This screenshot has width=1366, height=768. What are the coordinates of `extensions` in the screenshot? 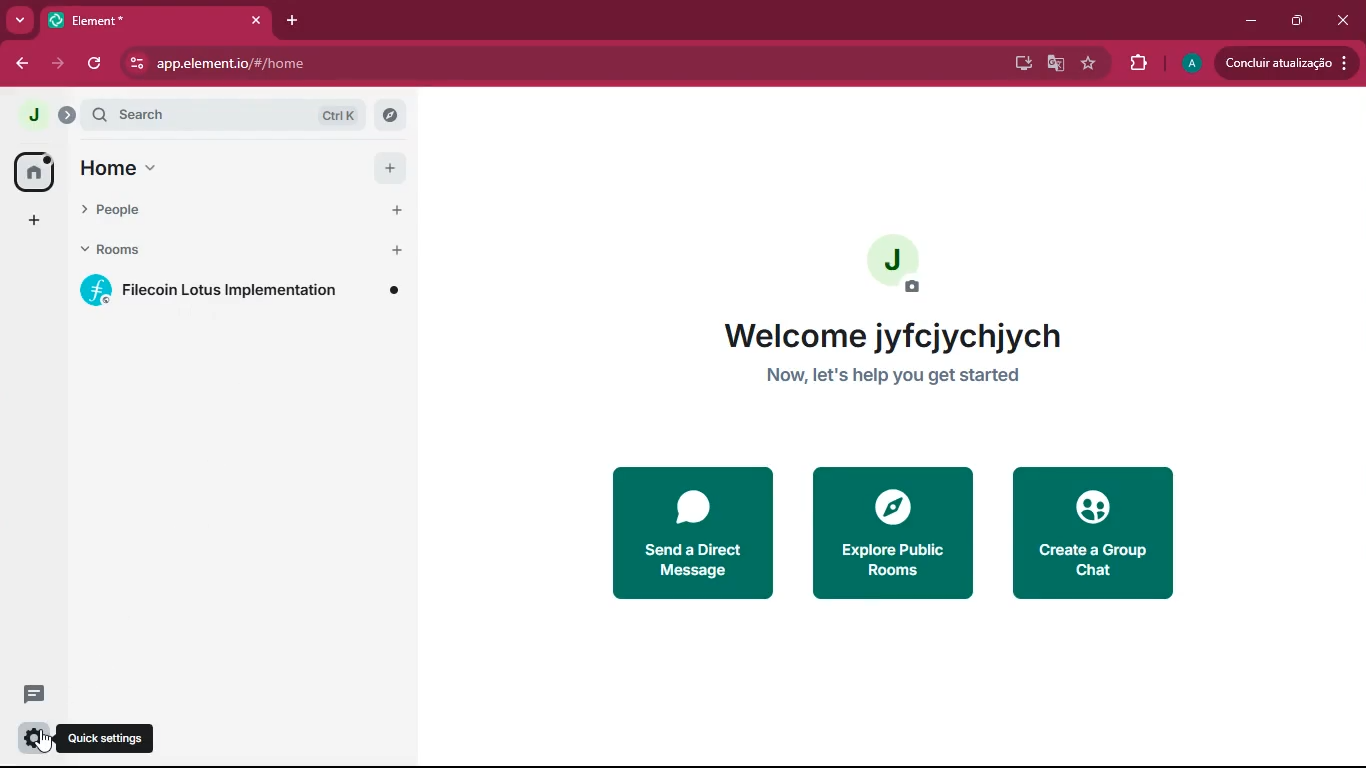 It's located at (1132, 64).